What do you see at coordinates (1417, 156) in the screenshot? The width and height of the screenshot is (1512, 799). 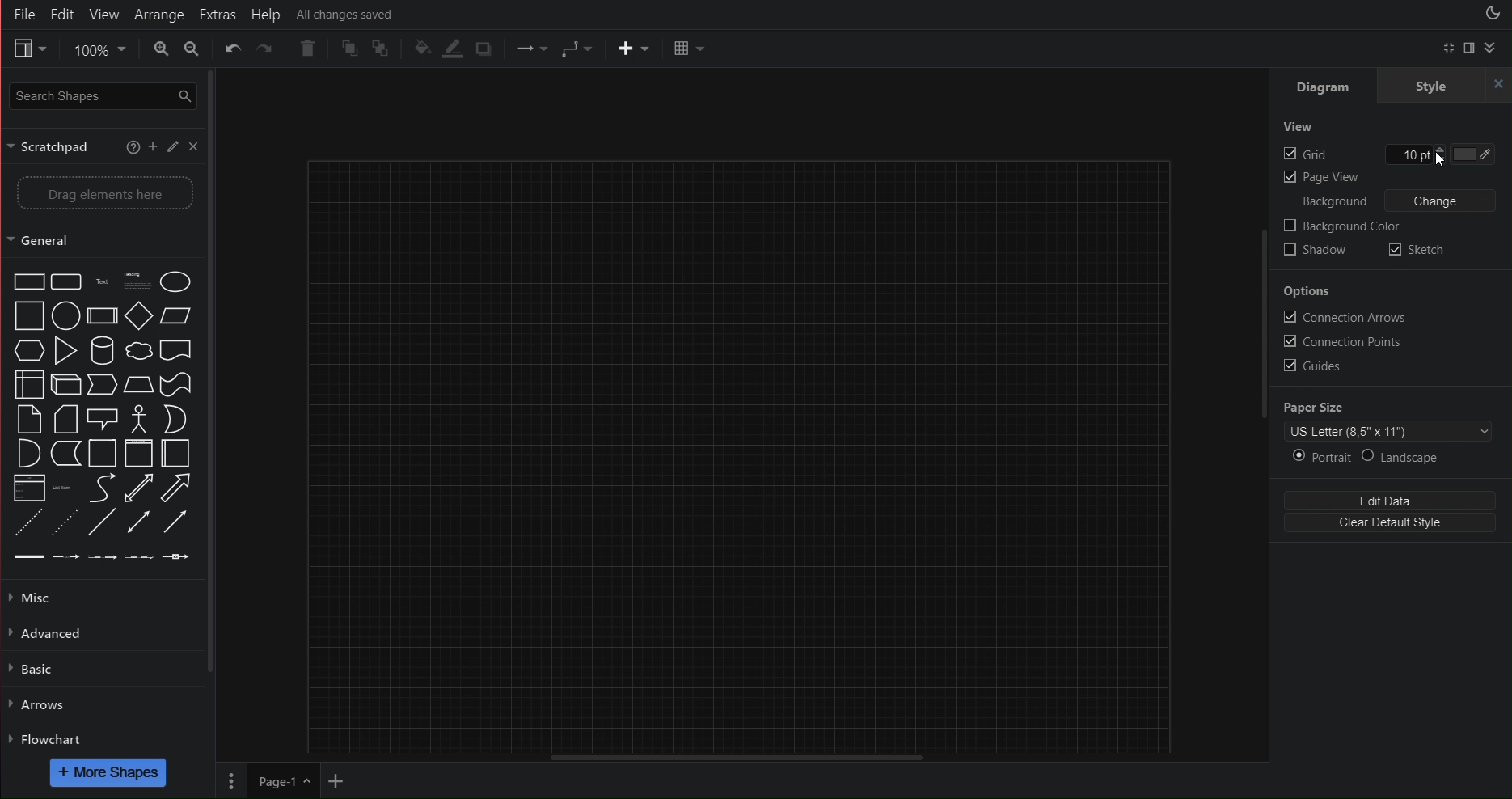 I see `Grid size` at bounding box center [1417, 156].